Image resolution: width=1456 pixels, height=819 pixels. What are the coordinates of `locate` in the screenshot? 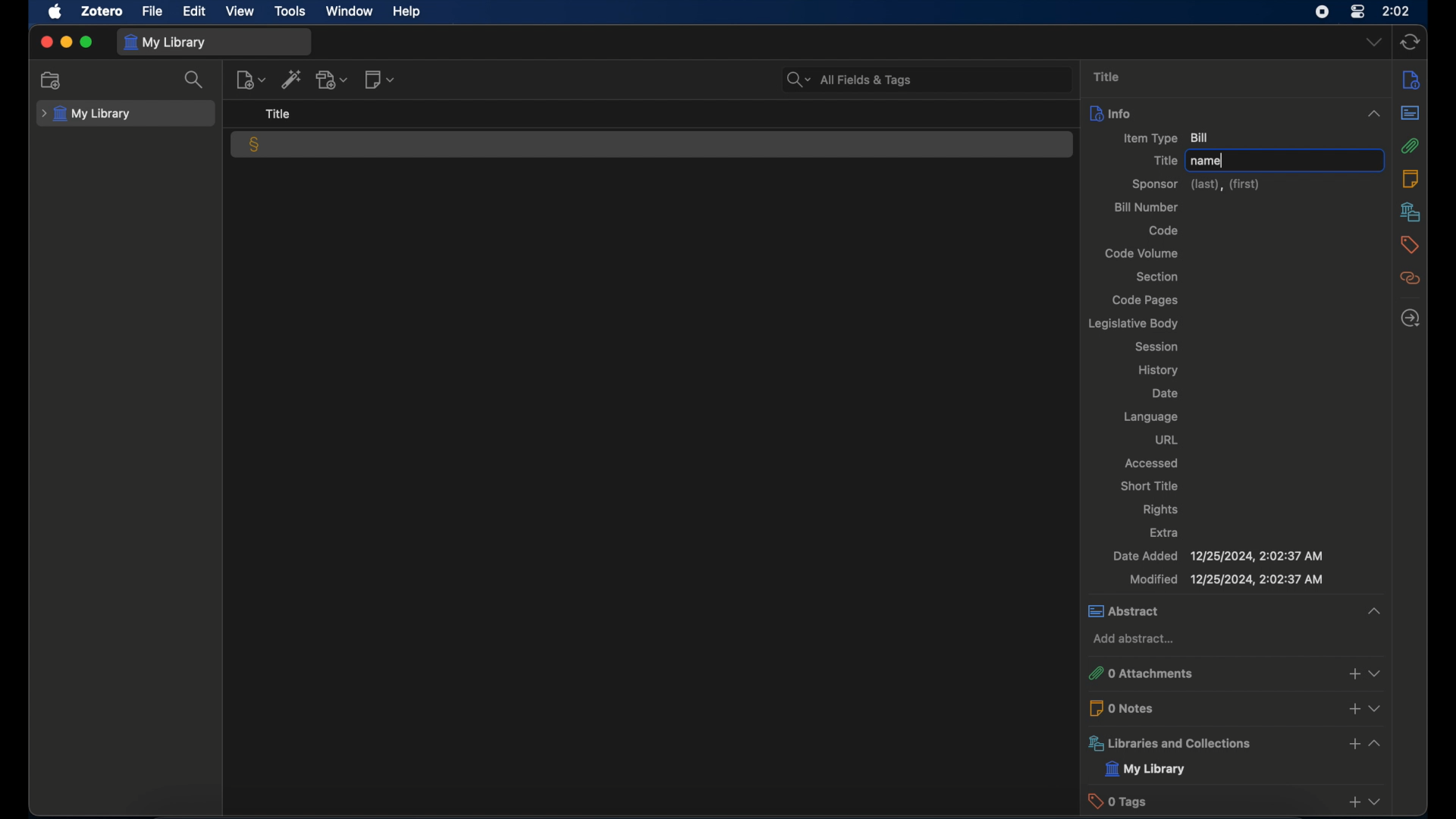 It's located at (1412, 318).